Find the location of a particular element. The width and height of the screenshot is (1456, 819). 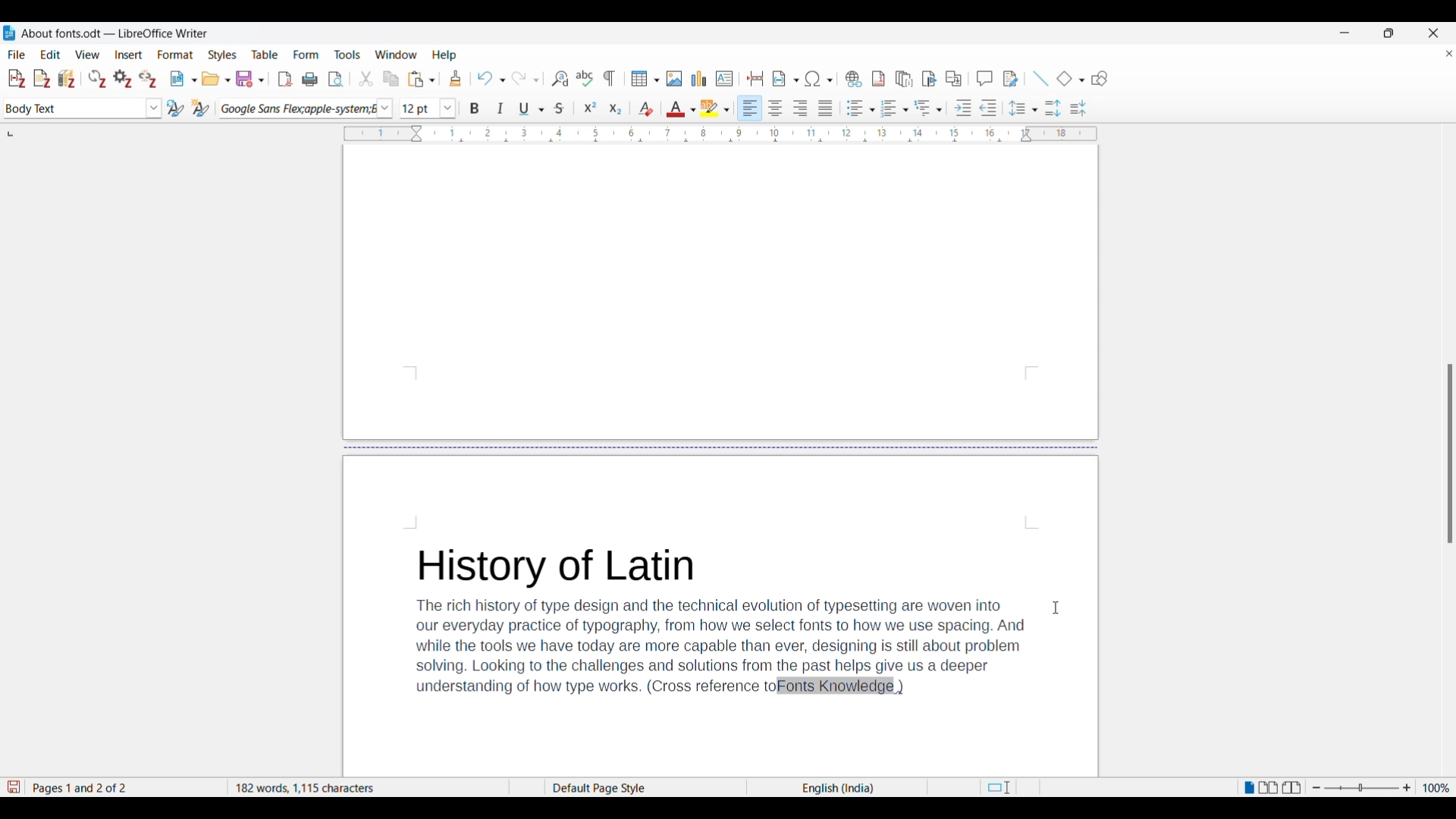

Bold is located at coordinates (475, 109).